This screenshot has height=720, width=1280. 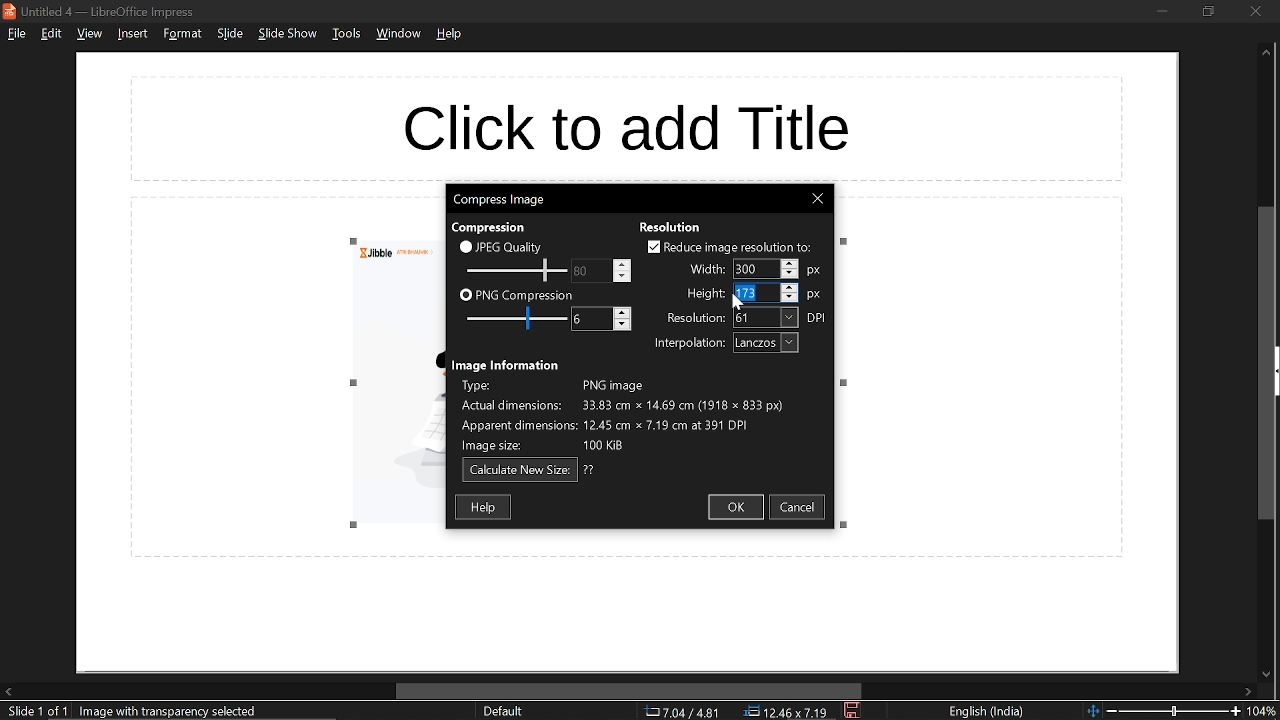 What do you see at coordinates (818, 269) in the screenshot?
I see `px` at bounding box center [818, 269].